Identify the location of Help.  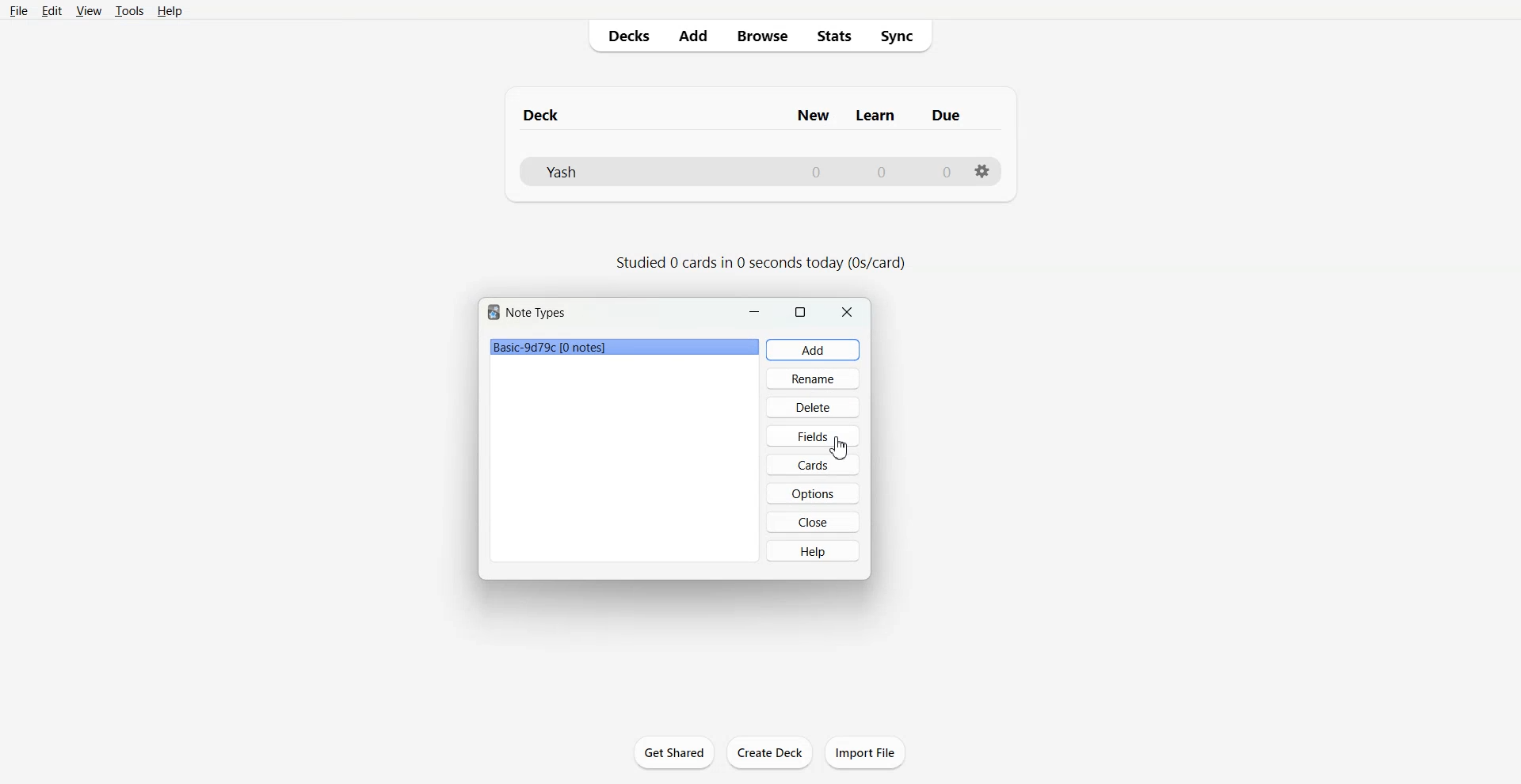
(813, 550).